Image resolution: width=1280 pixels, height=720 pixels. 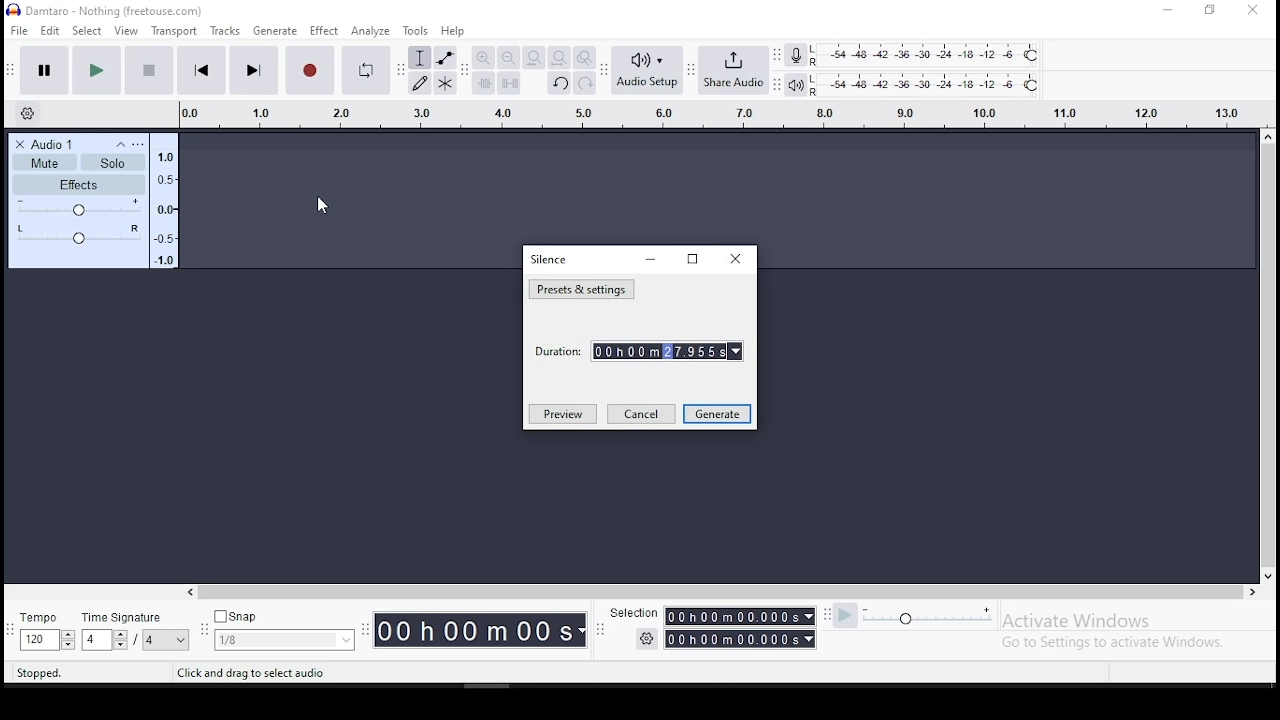 What do you see at coordinates (116, 162) in the screenshot?
I see `Solo` at bounding box center [116, 162].